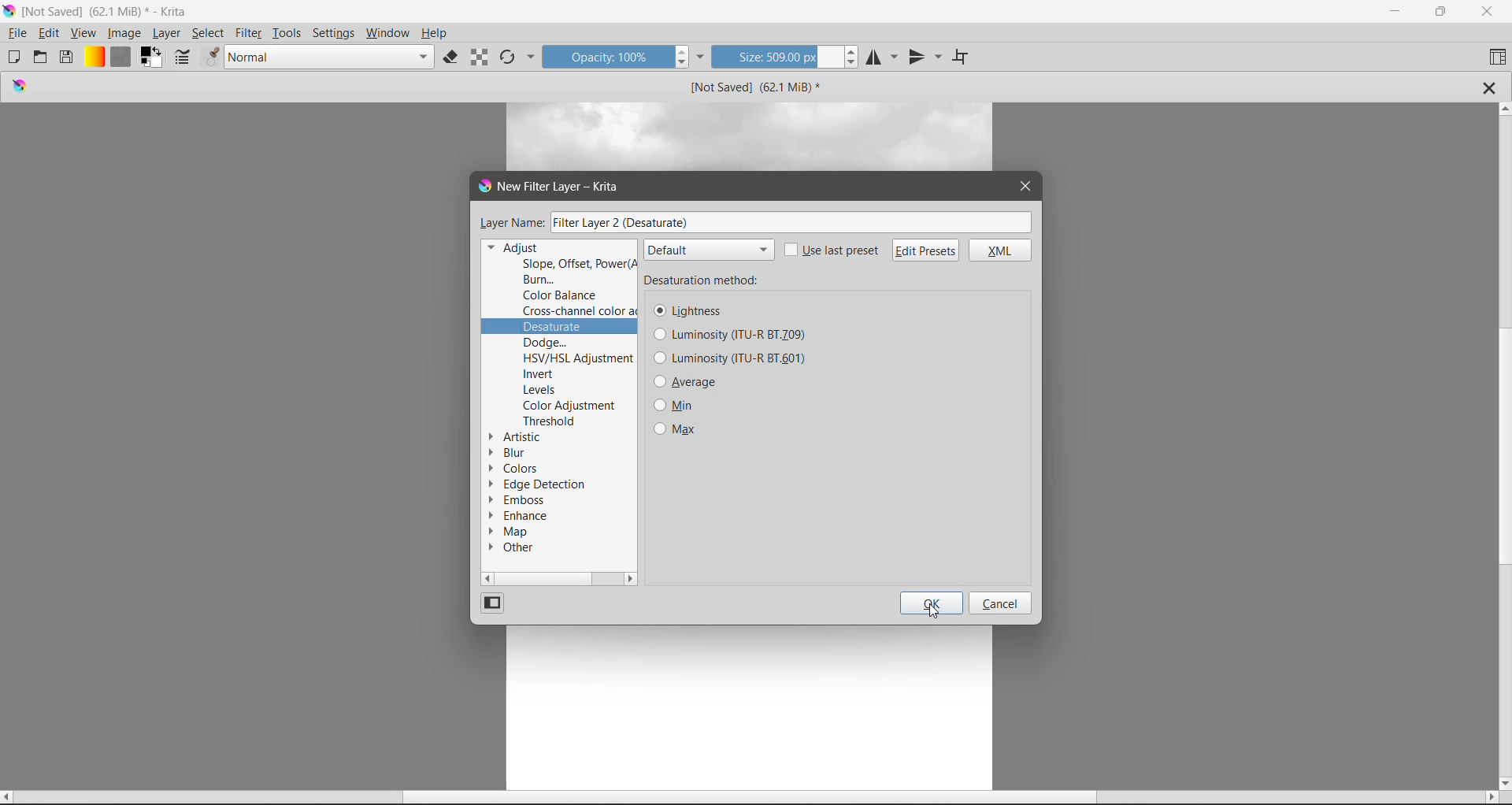 Image resolution: width=1512 pixels, height=805 pixels. I want to click on Desaturation method, so click(706, 280).